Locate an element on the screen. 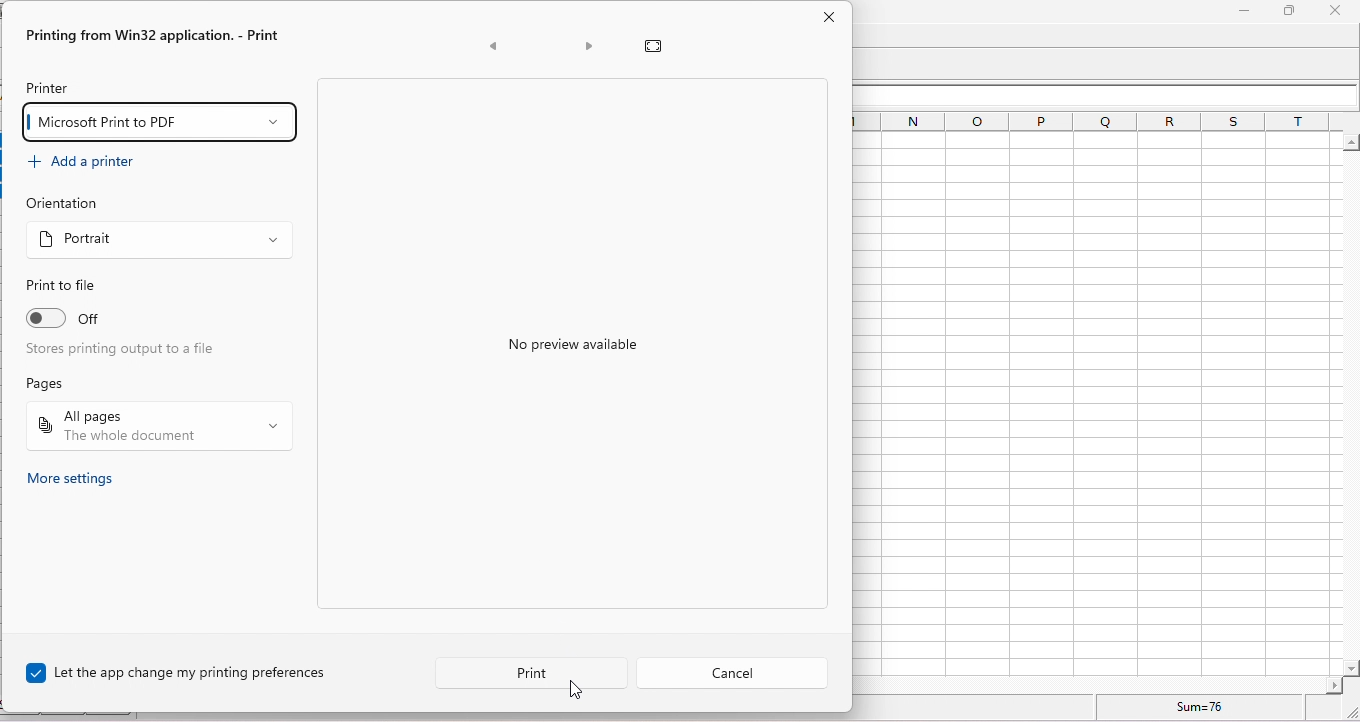  minimize is located at coordinates (1241, 14).